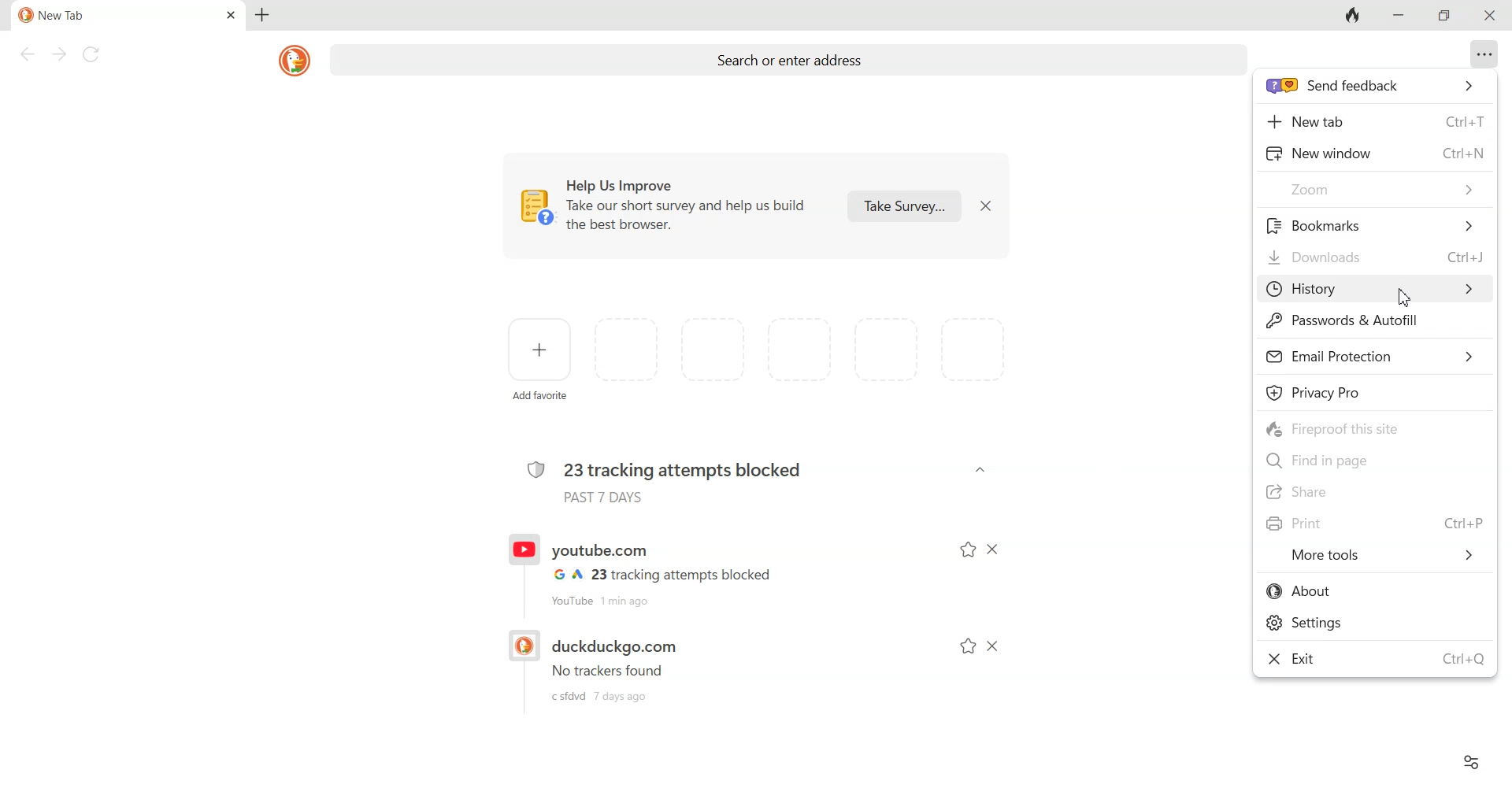 This screenshot has height=803, width=1512. What do you see at coordinates (1447, 17) in the screenshot?
I see `Maximize` at bounding box center [1447, 17].